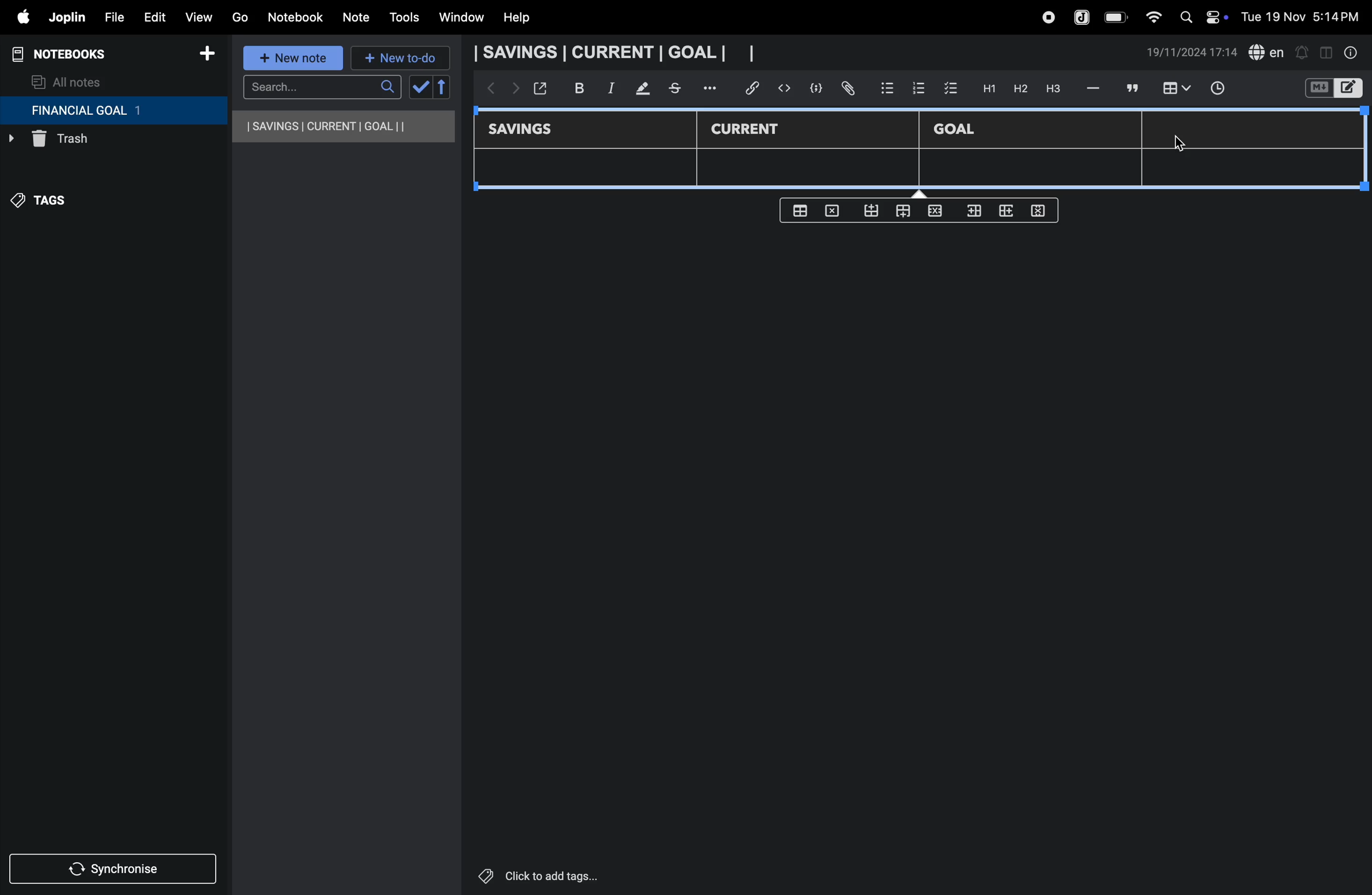 This screenshot has width=1372, height=895. What do you see at coordinates (962, 130) in the screenshot?
I see `Goal` at bounding box center [962, 130].